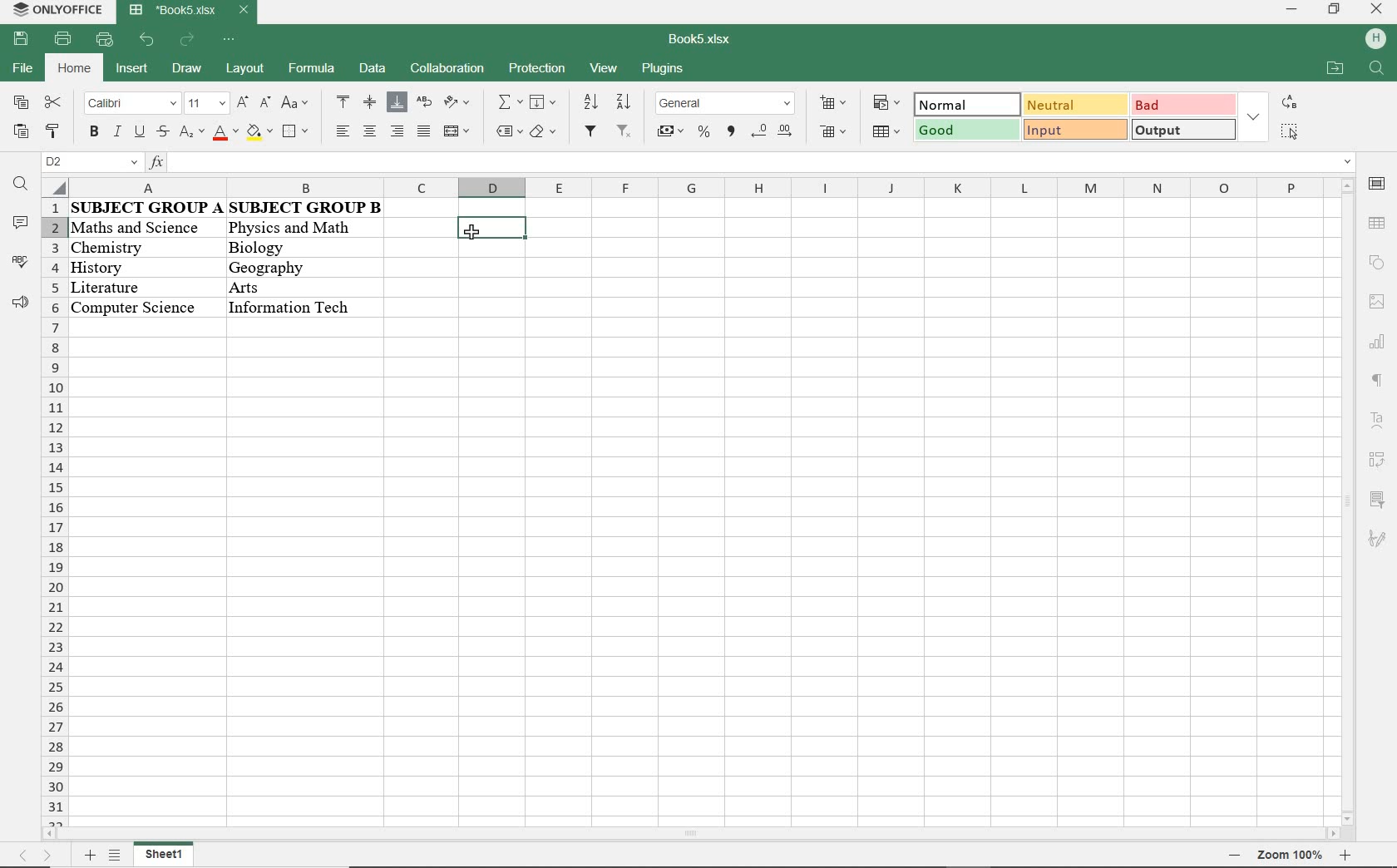 The height and width of the screenshot is (868, 1397). What do you see at coordinates (297, 103) in the screenshot?
I see `change case` at bounding box center [297, 103].